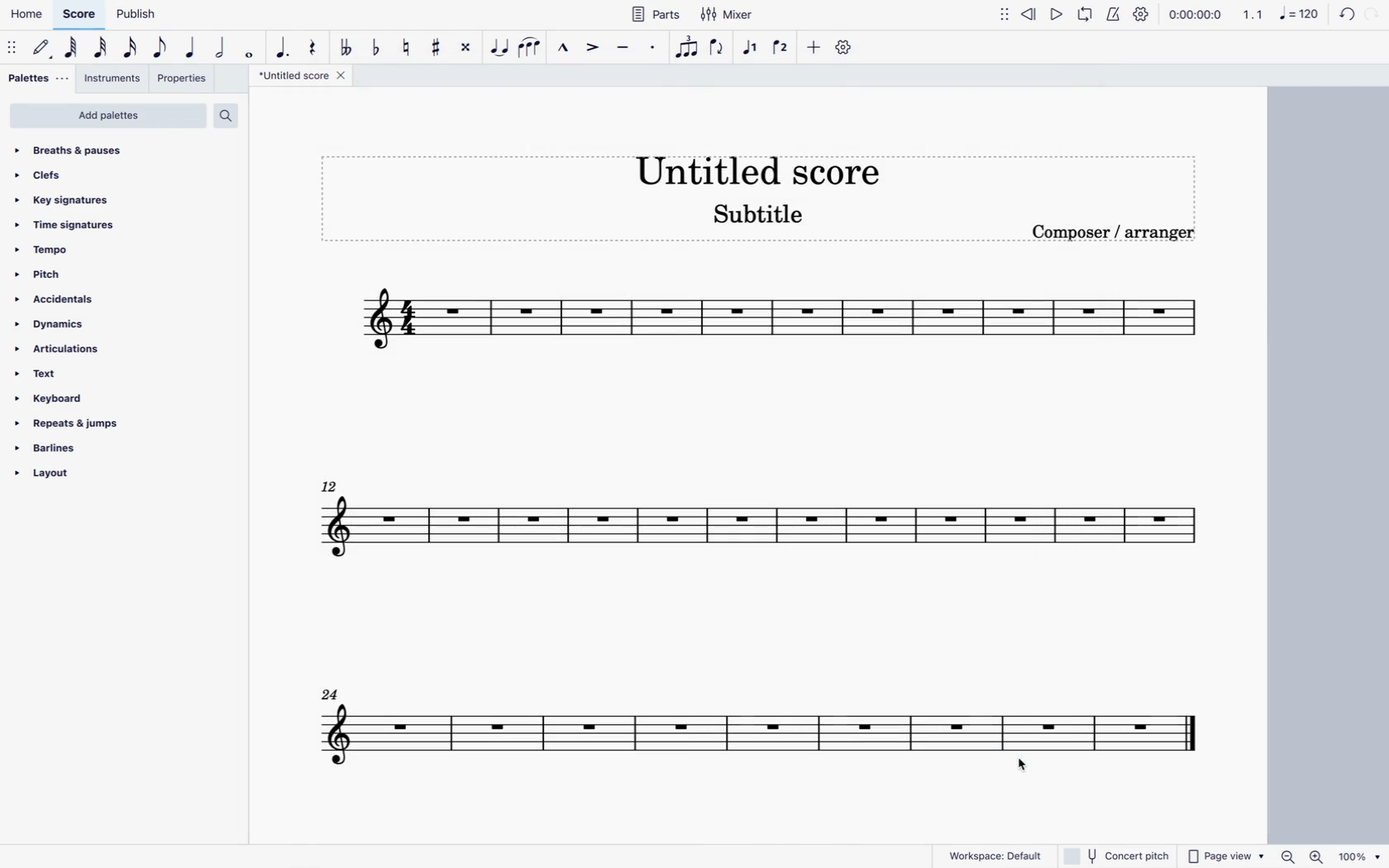 This screenshot has height=868, width=1389. Describe the element at coordinates (406, 46) in the screenshot. I see `toggle natural` at that location.